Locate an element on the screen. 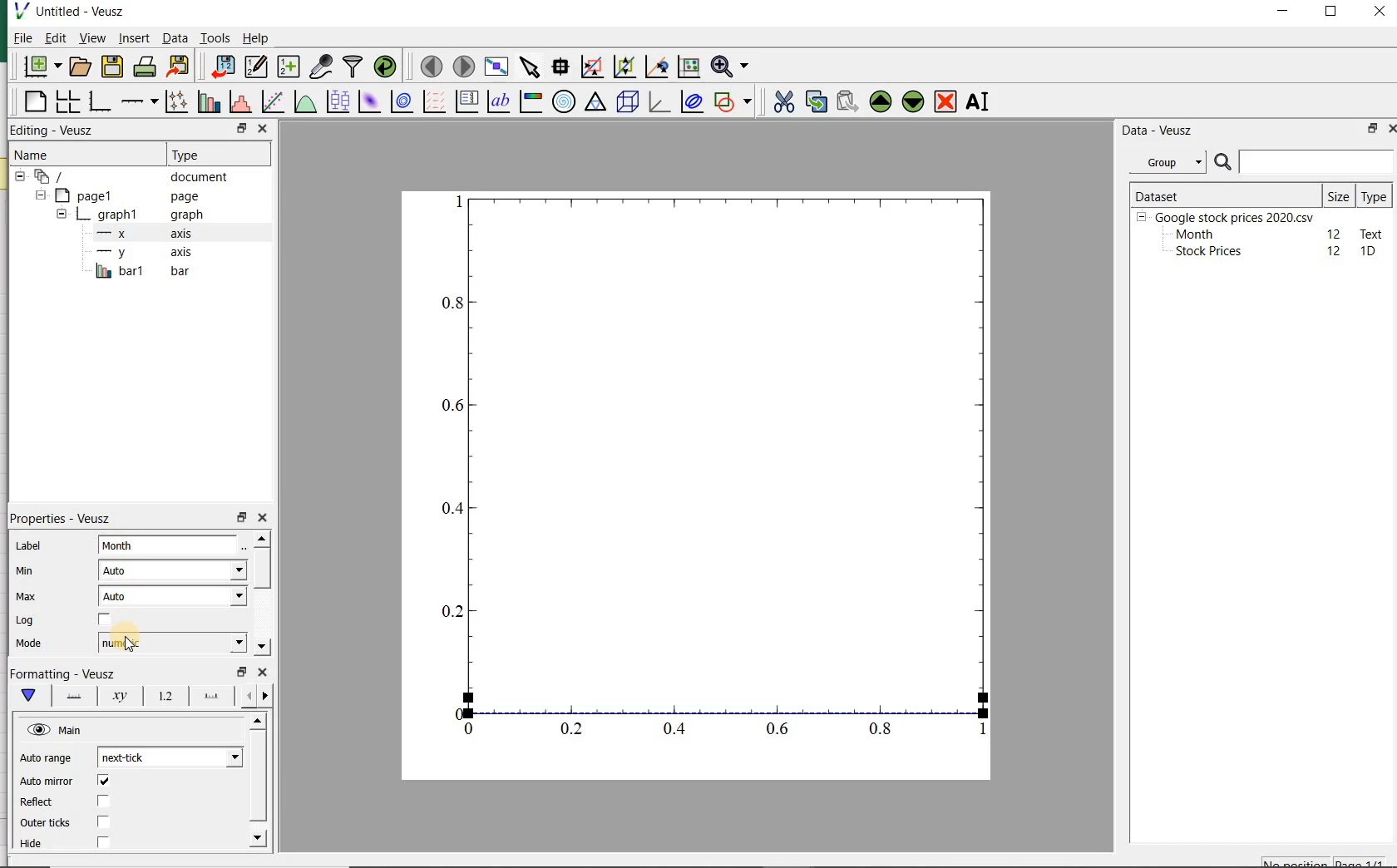  create new datasets is located at coordinates (289, 67).